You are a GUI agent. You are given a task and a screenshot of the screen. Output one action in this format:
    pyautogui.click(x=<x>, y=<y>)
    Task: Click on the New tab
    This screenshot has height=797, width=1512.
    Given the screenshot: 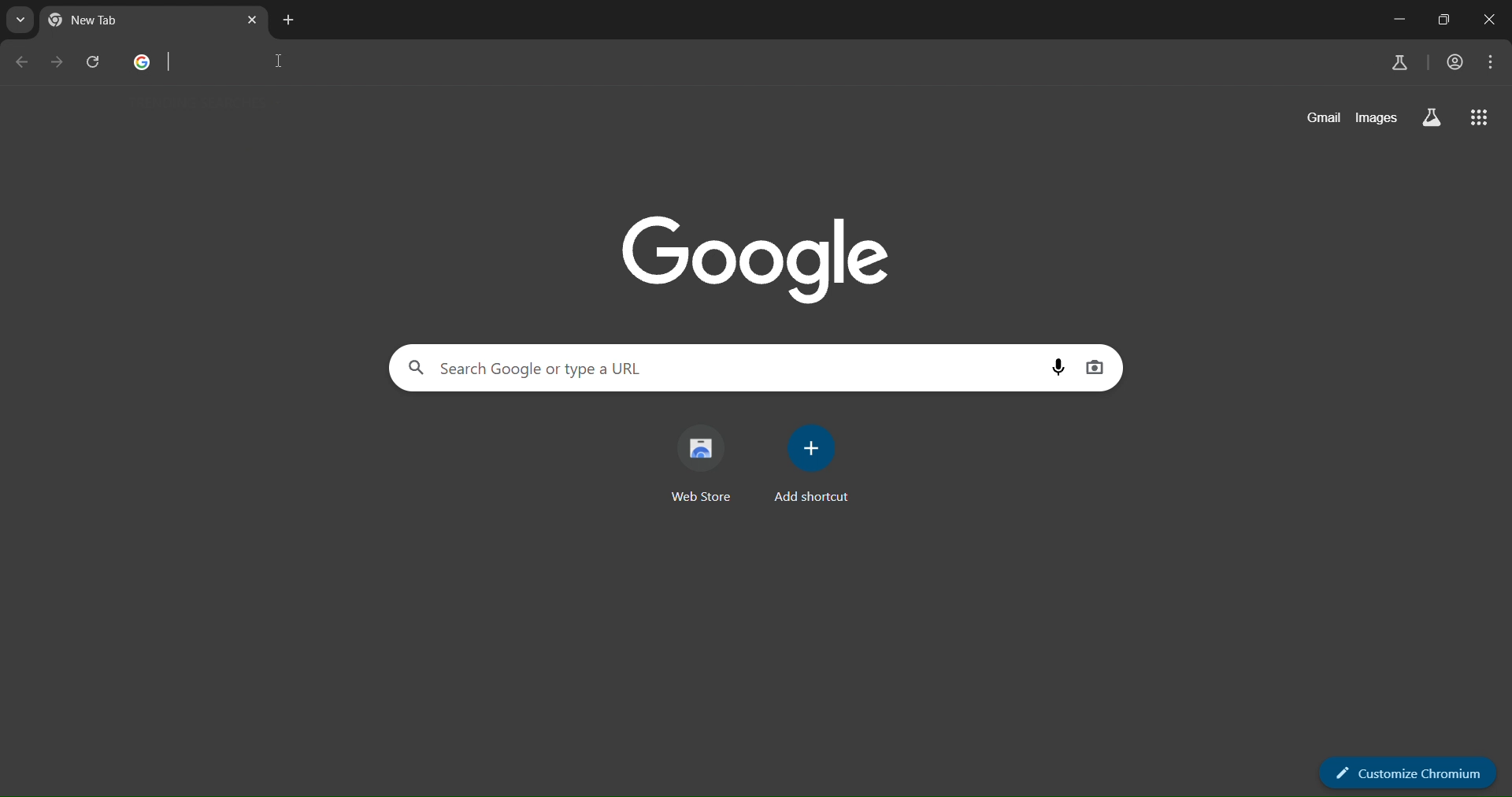 What is the action you would take?
    pyautogui.click(x=98, y=20)
    